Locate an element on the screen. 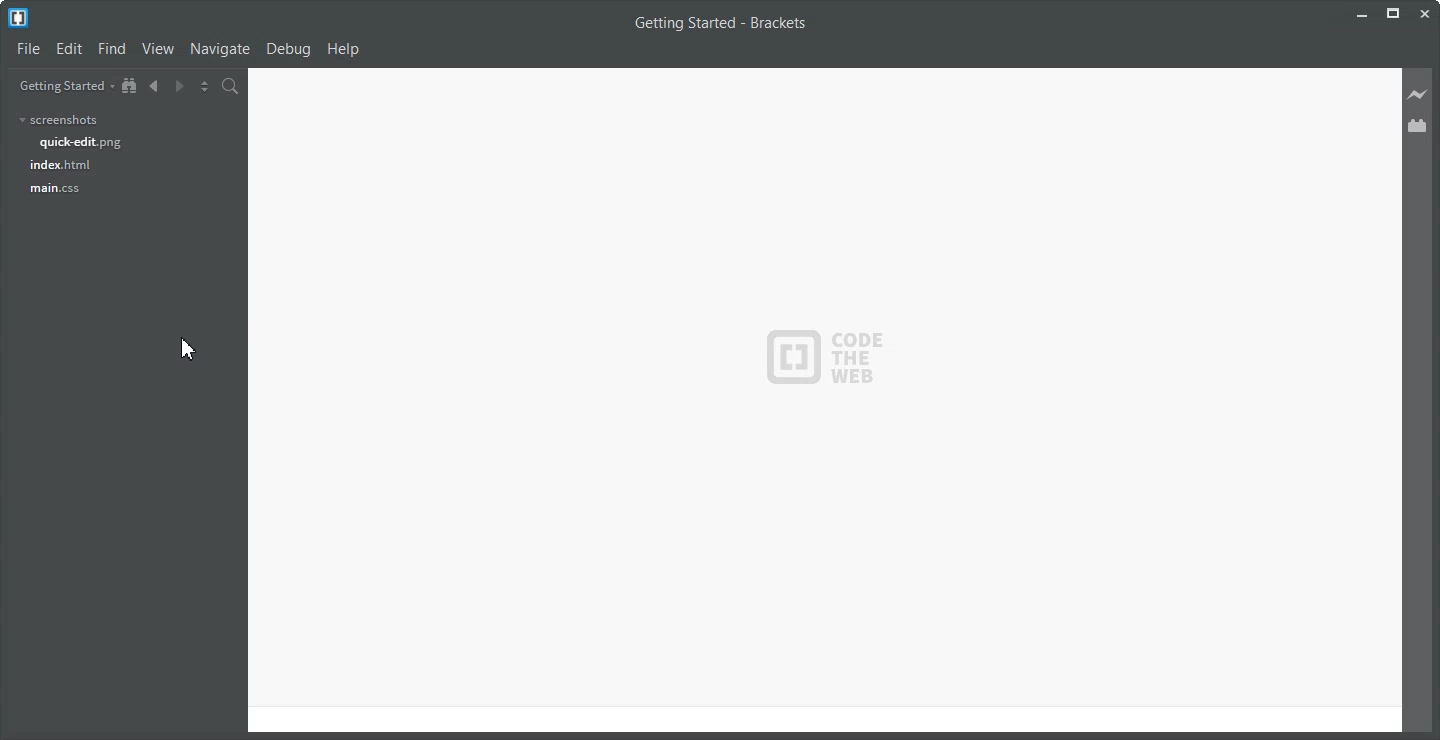 This screenshot has height=740, width=1440. Minimize is located at coordinates (1364, 12).